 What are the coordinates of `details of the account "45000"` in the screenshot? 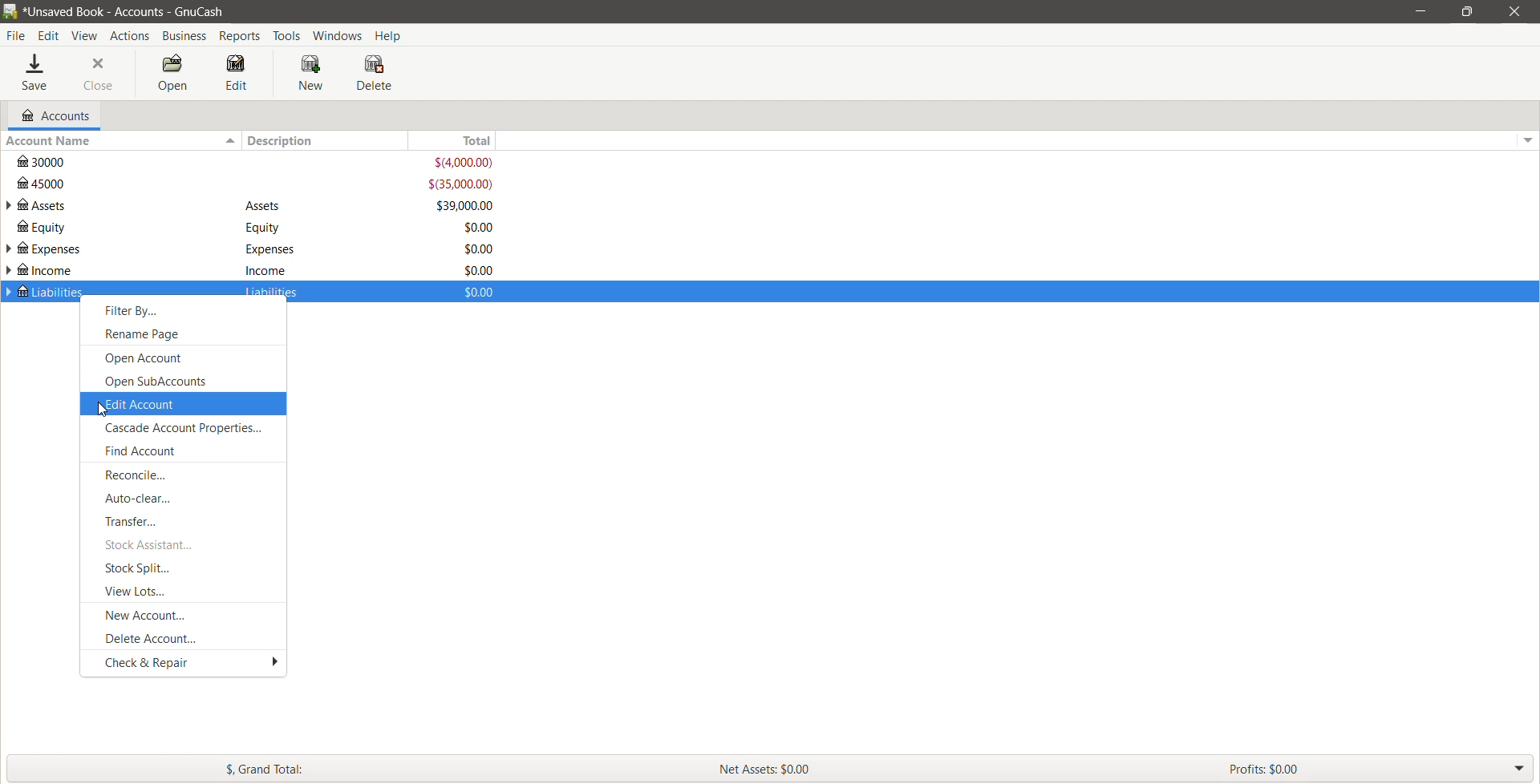 It's located at (257, 184).